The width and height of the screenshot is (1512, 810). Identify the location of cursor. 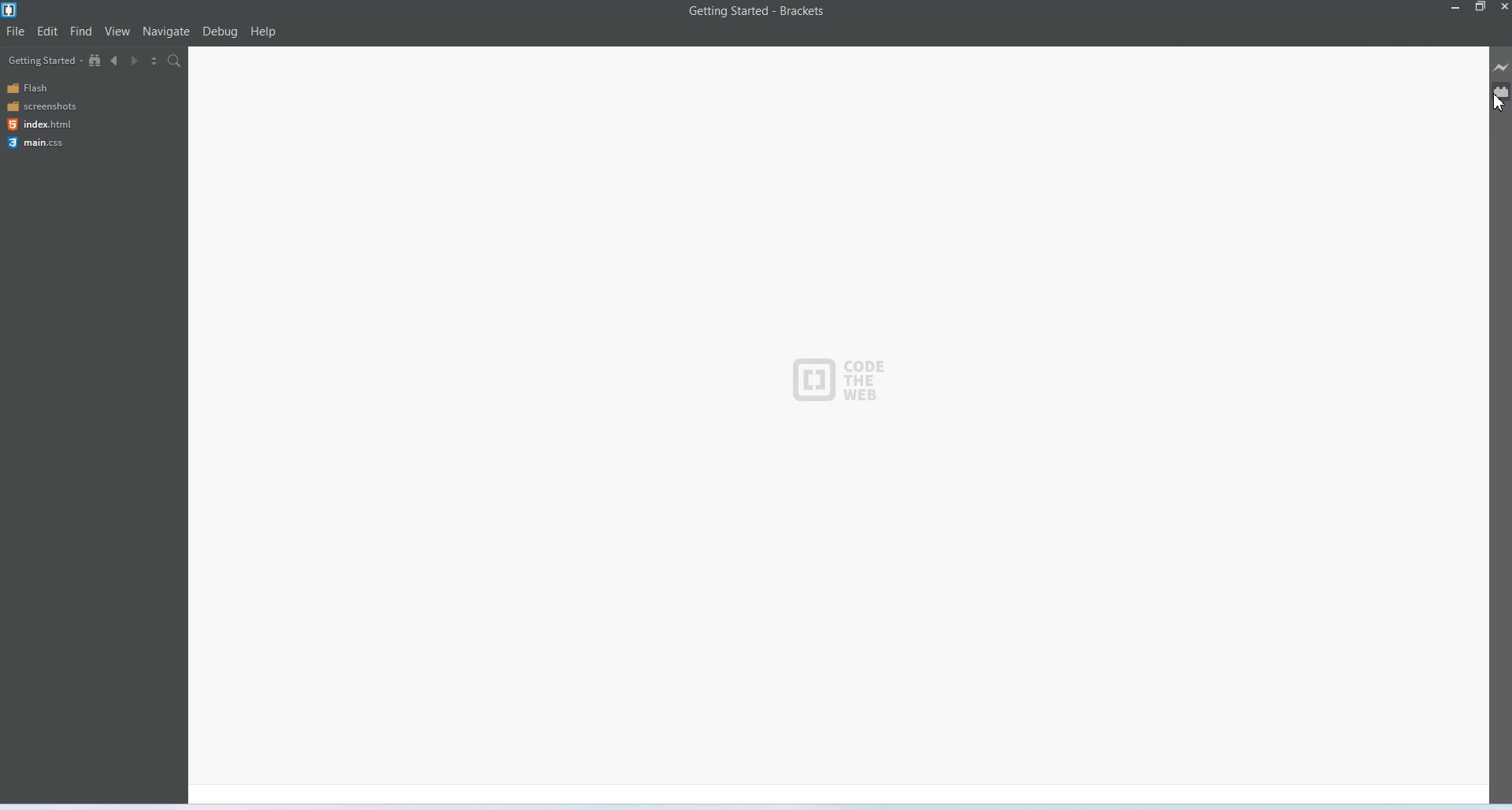
(1499, 101).